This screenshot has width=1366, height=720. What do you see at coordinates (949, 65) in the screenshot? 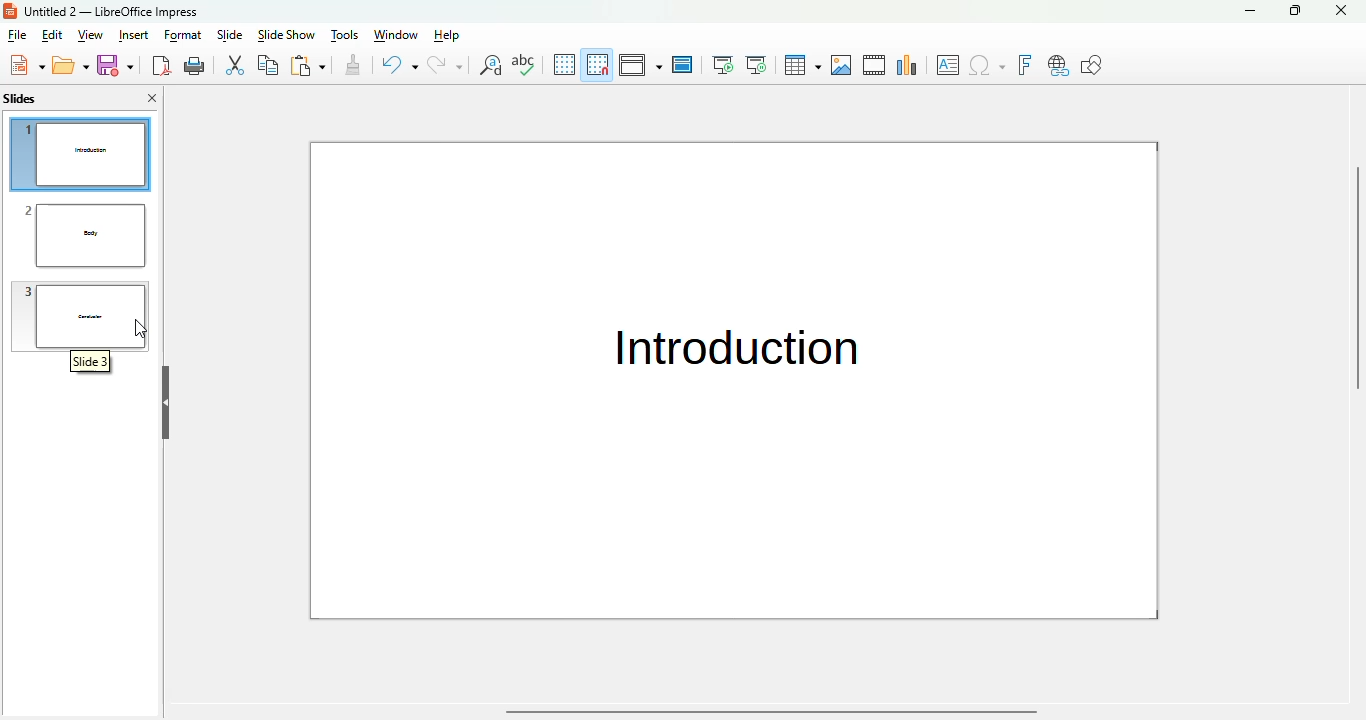
I see `insert textbox` at bounding box center [949, 65].